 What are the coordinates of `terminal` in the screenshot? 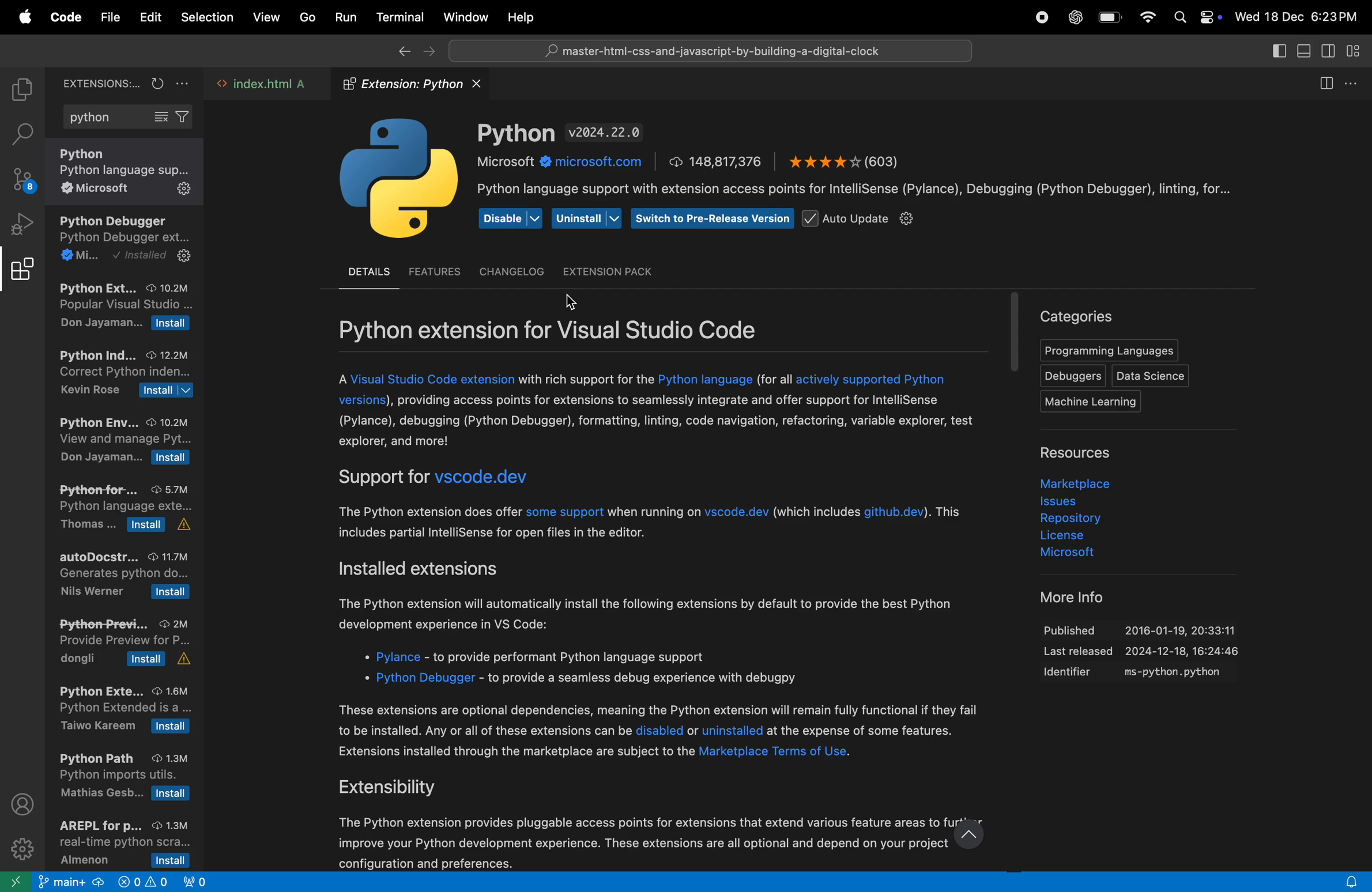 It's located at (397, 16).